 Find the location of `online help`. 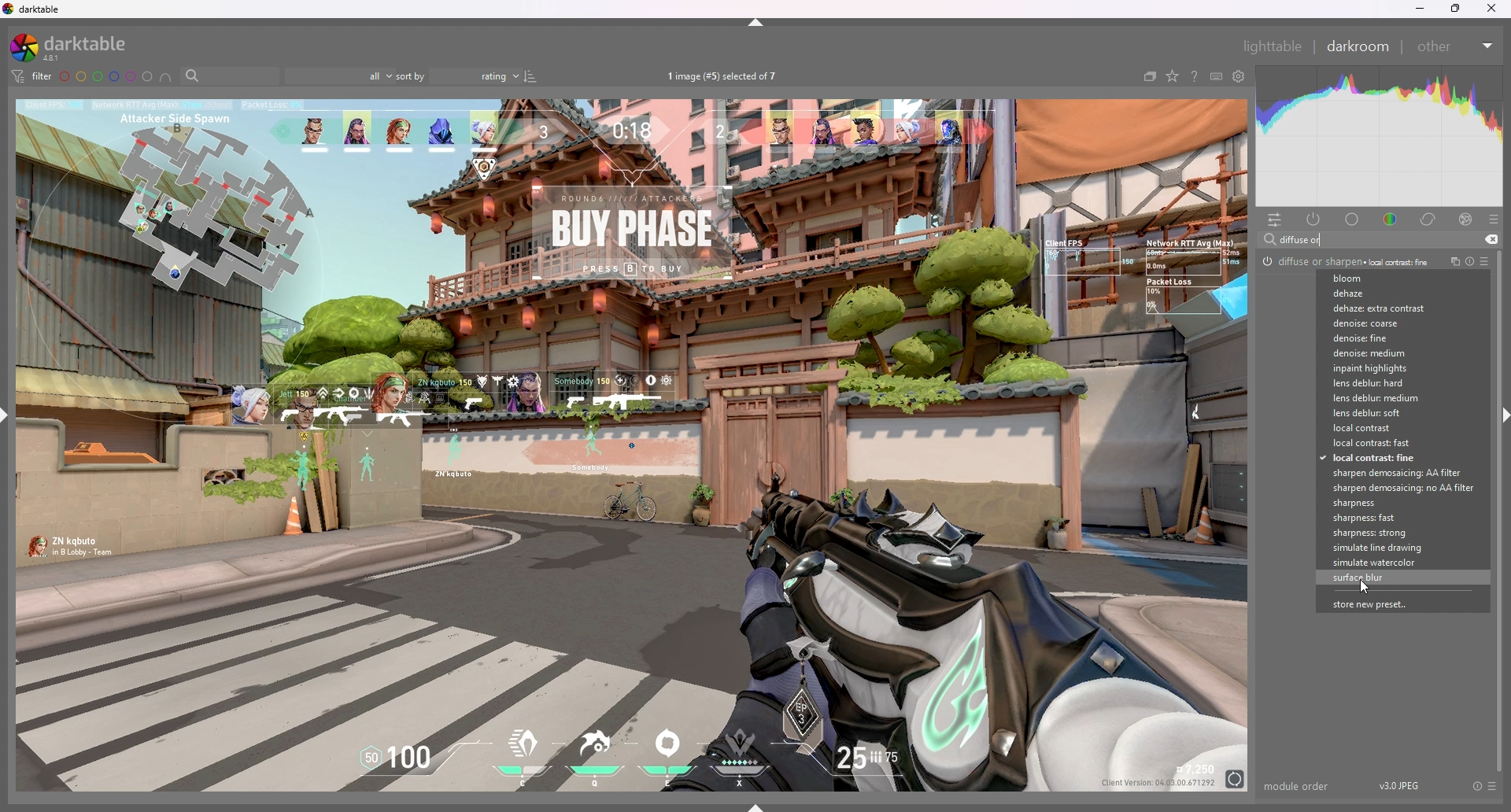

online help is located at coordinates (1194, 76).